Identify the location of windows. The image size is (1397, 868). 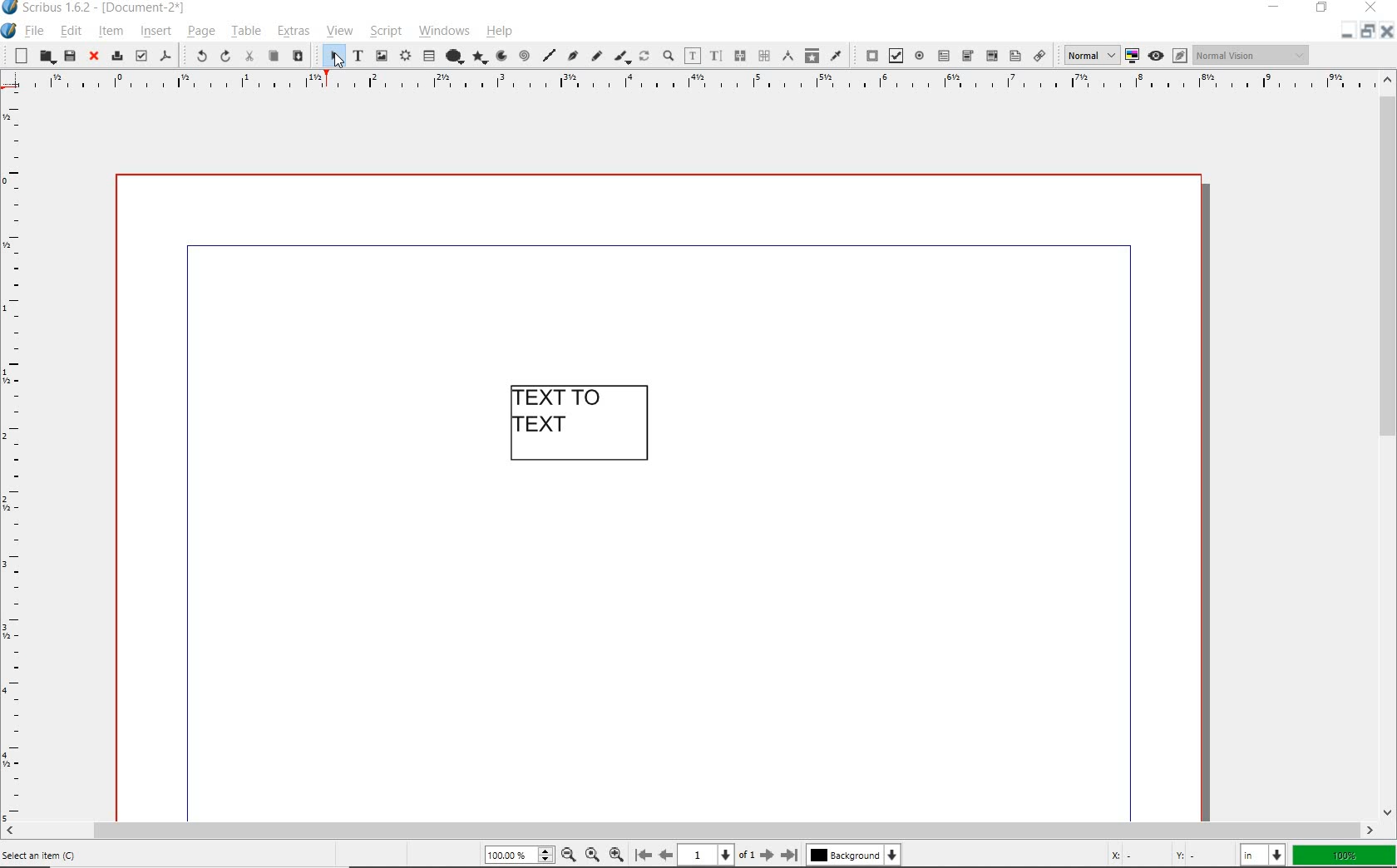
(444, 32).